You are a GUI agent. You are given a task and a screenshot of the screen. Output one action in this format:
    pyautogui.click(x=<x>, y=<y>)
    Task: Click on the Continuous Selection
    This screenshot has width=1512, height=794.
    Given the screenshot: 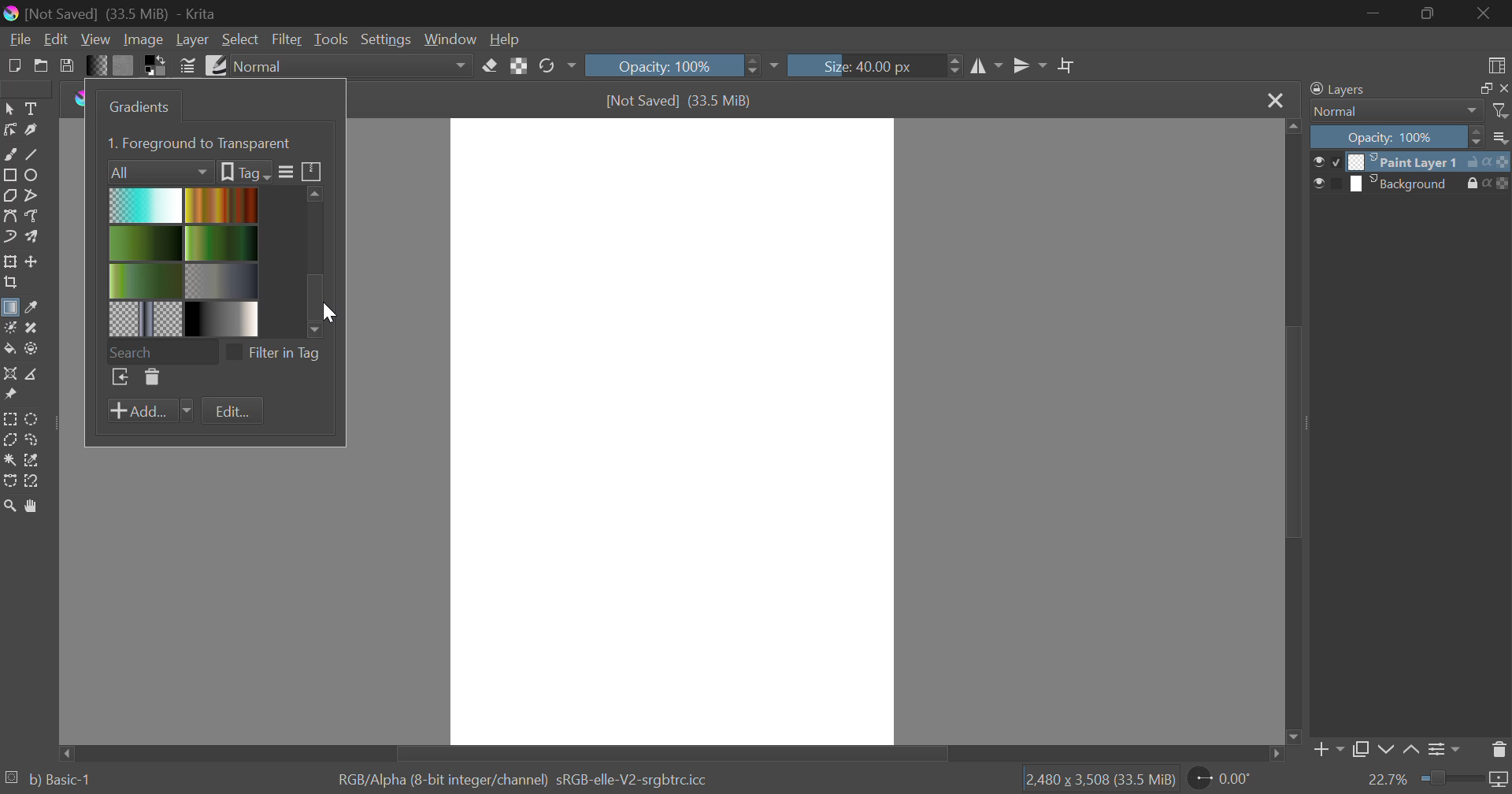 What is the action you would take?
    pyautogui.click(x=9, y=459)
    